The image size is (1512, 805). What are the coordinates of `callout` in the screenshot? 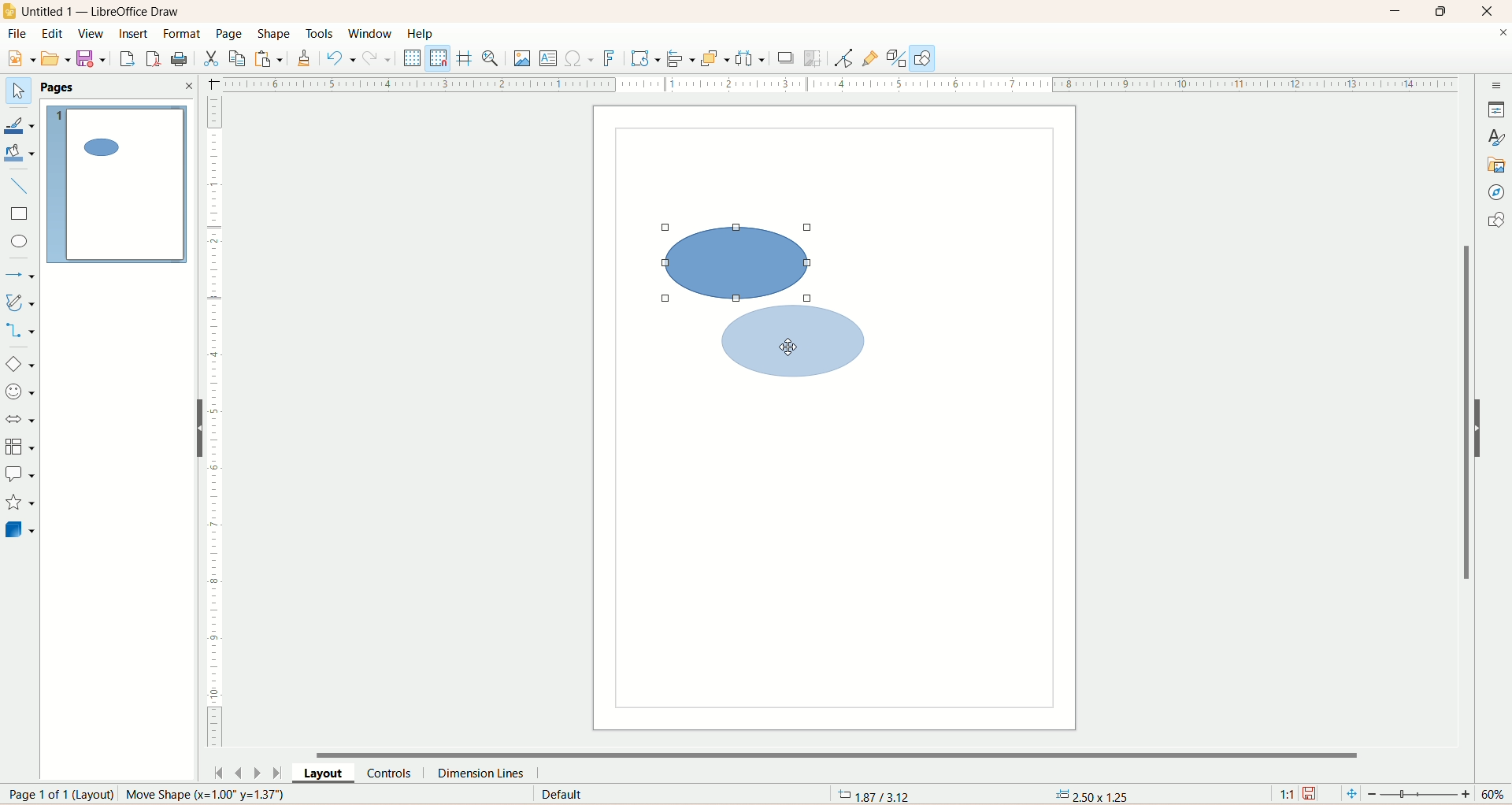 It's located at (19, 475).